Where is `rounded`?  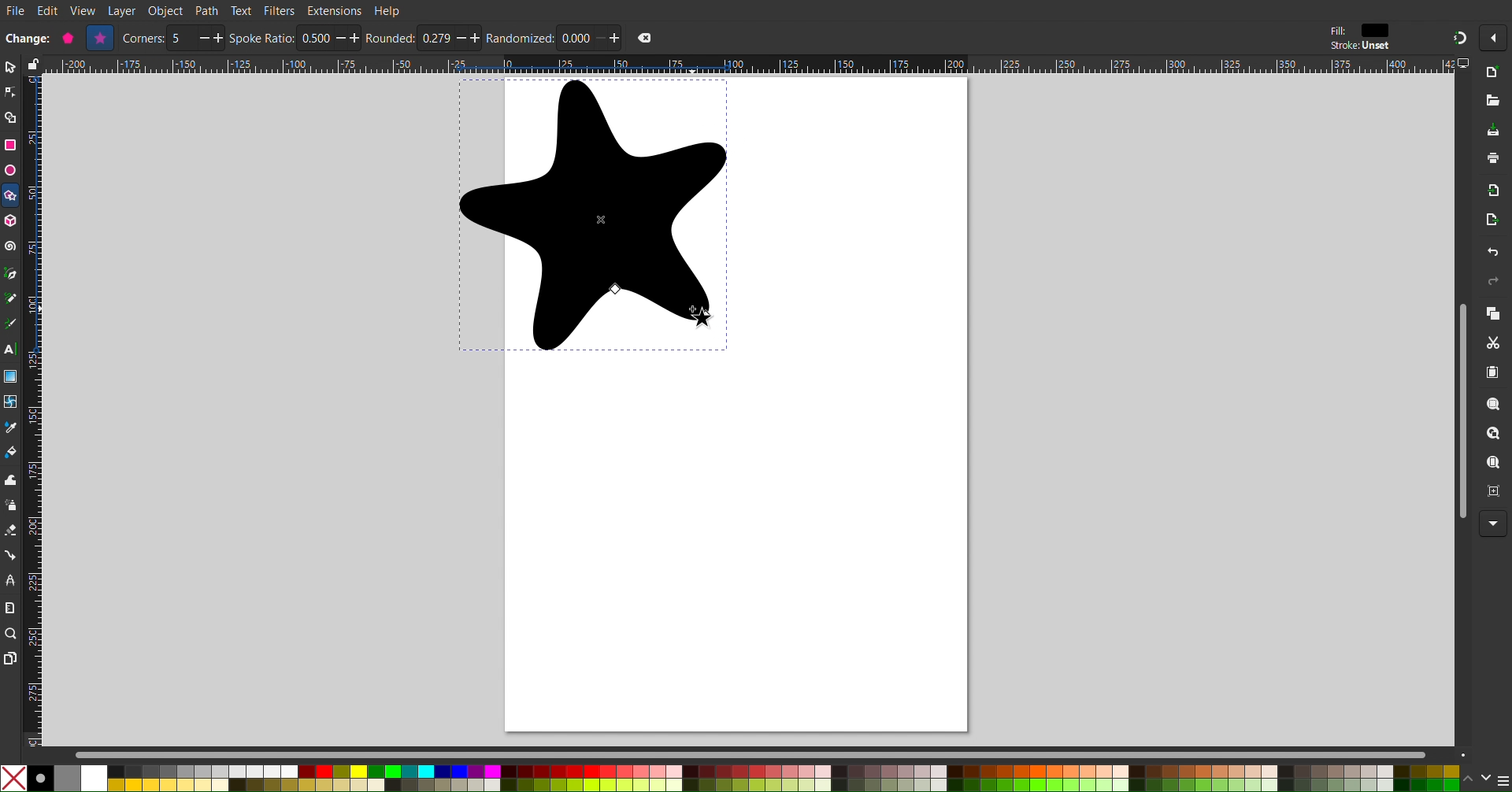
rounded is located at coordinates (391, 38).